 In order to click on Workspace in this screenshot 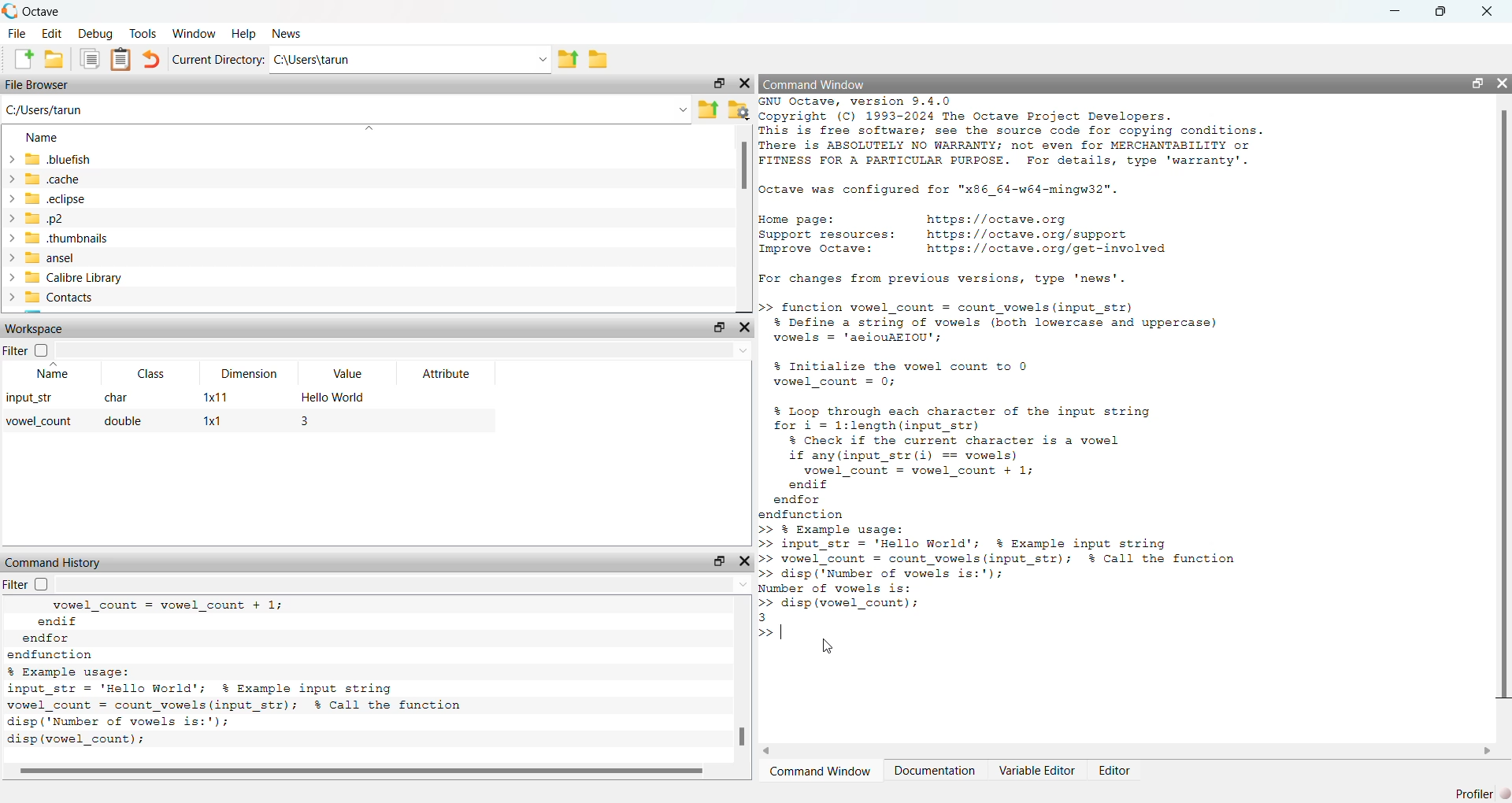, I will do `click(35, 328)`.